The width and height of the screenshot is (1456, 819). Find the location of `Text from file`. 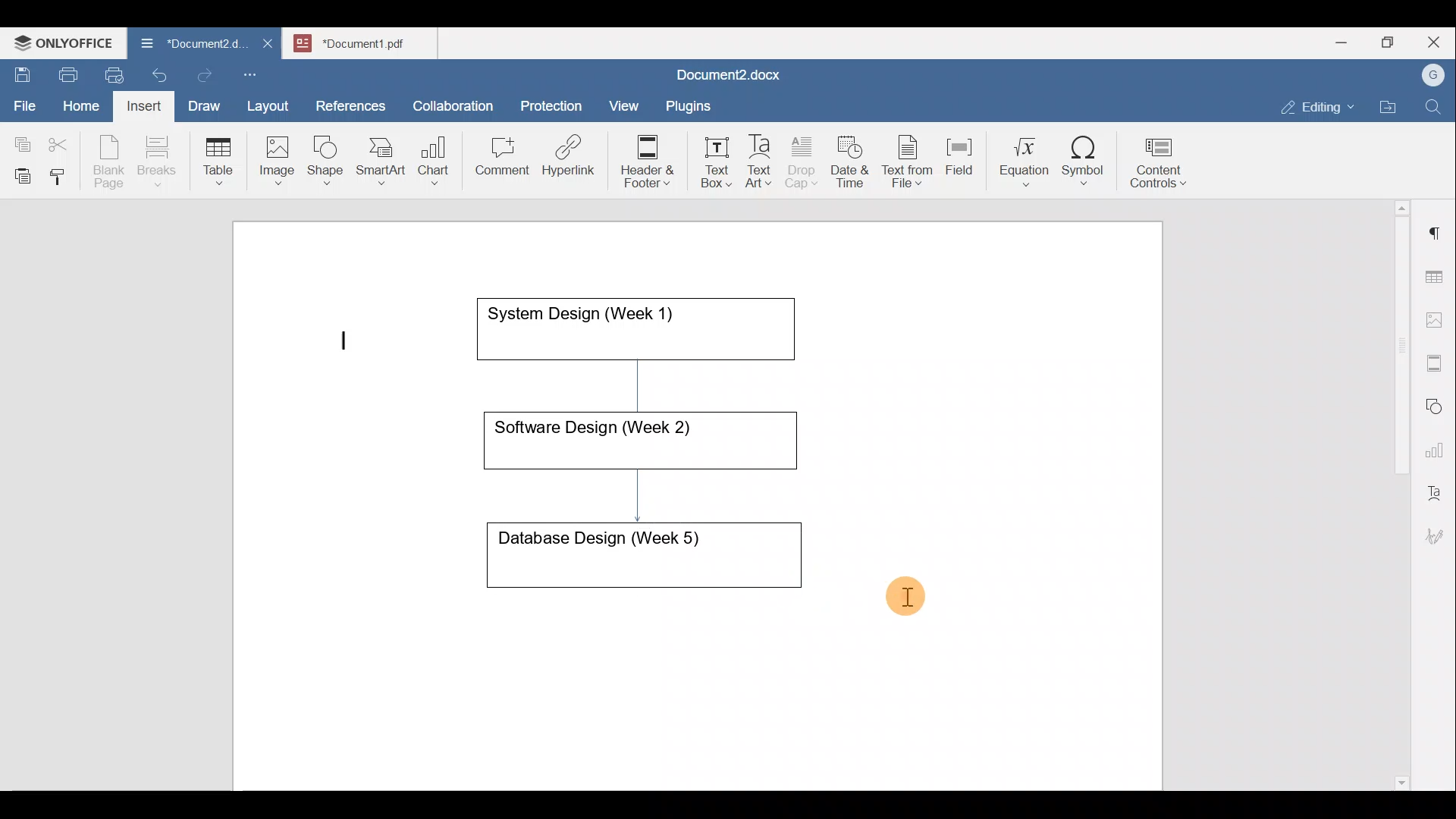

Text from file is located at coordinates (910, 160).